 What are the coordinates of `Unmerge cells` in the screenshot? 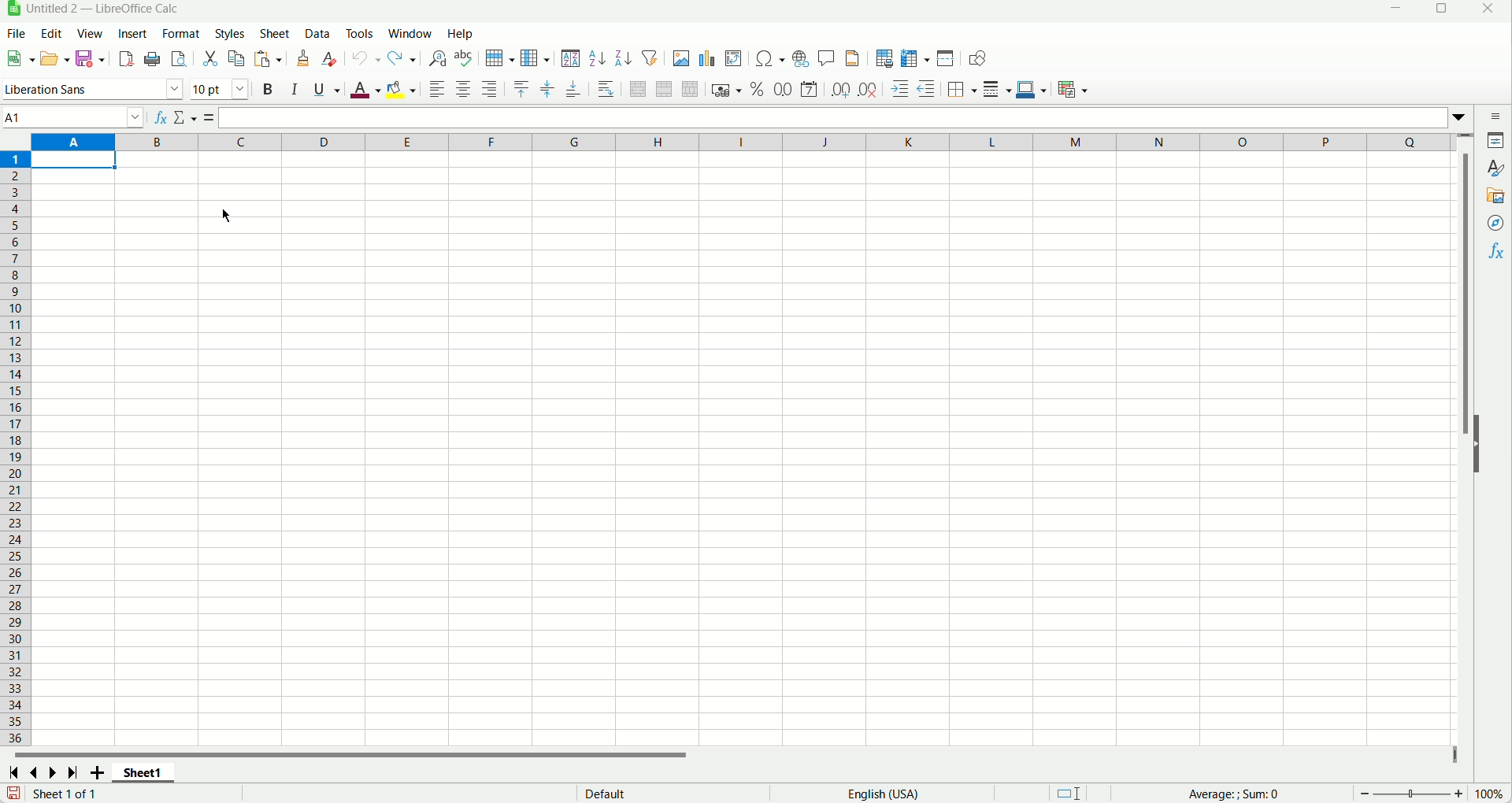 It's located at (691, 89).